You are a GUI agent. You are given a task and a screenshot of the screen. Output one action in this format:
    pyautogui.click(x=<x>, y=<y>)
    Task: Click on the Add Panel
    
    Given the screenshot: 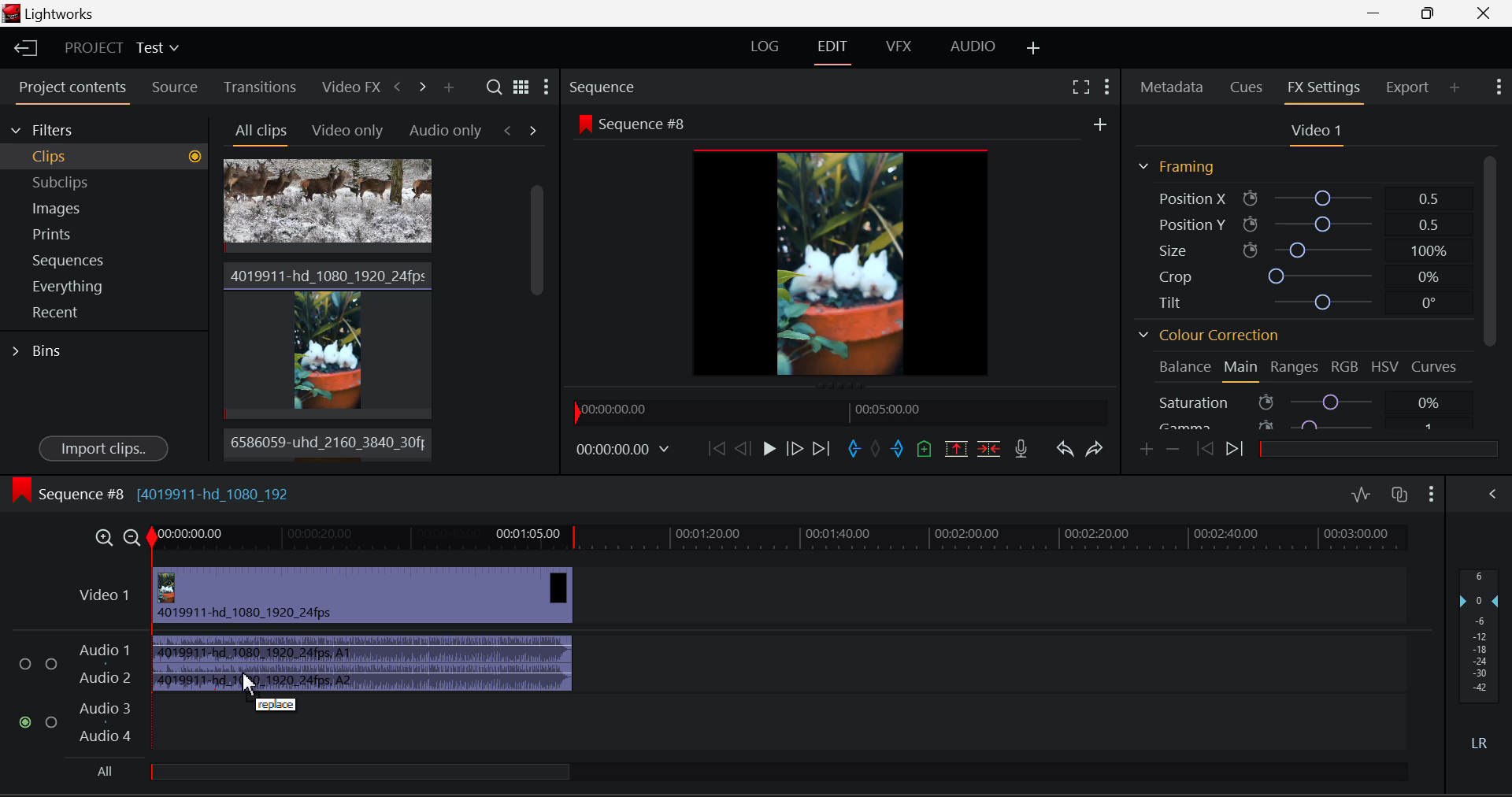 What is the action you would take?
    pyautogui.click(x=1455, y=89)
    